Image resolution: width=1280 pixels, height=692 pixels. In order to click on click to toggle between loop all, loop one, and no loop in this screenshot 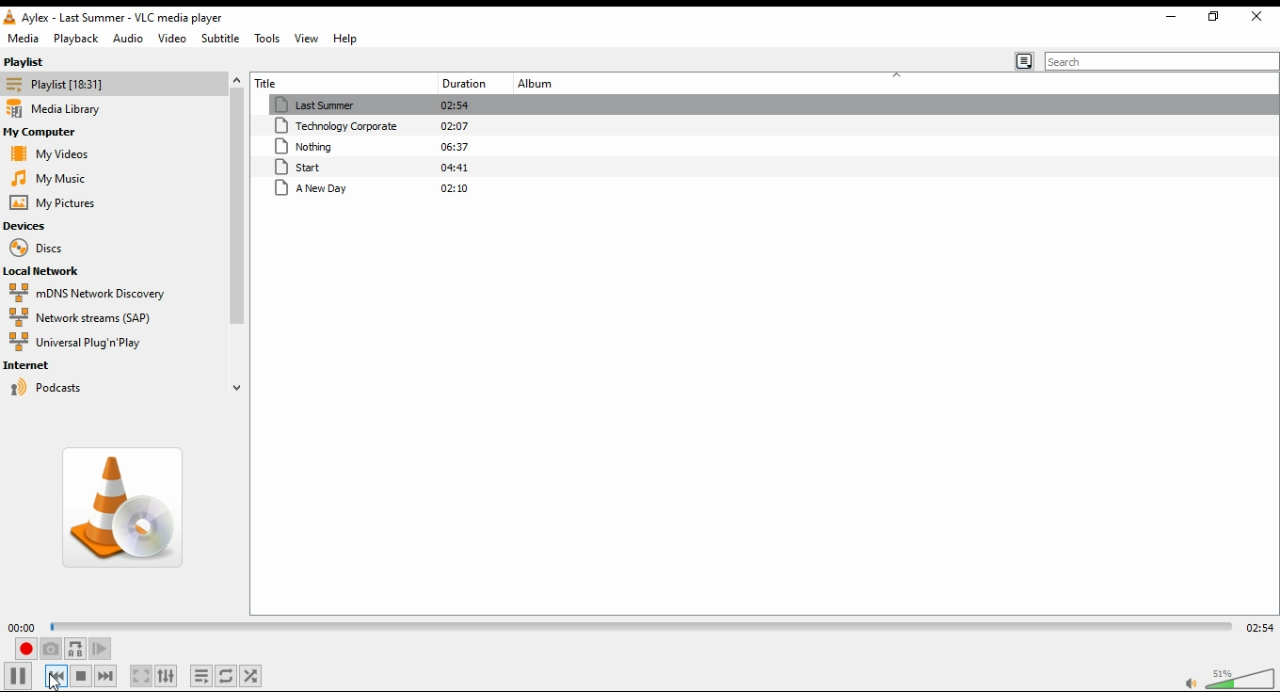, I will do `click(225, 677)`.